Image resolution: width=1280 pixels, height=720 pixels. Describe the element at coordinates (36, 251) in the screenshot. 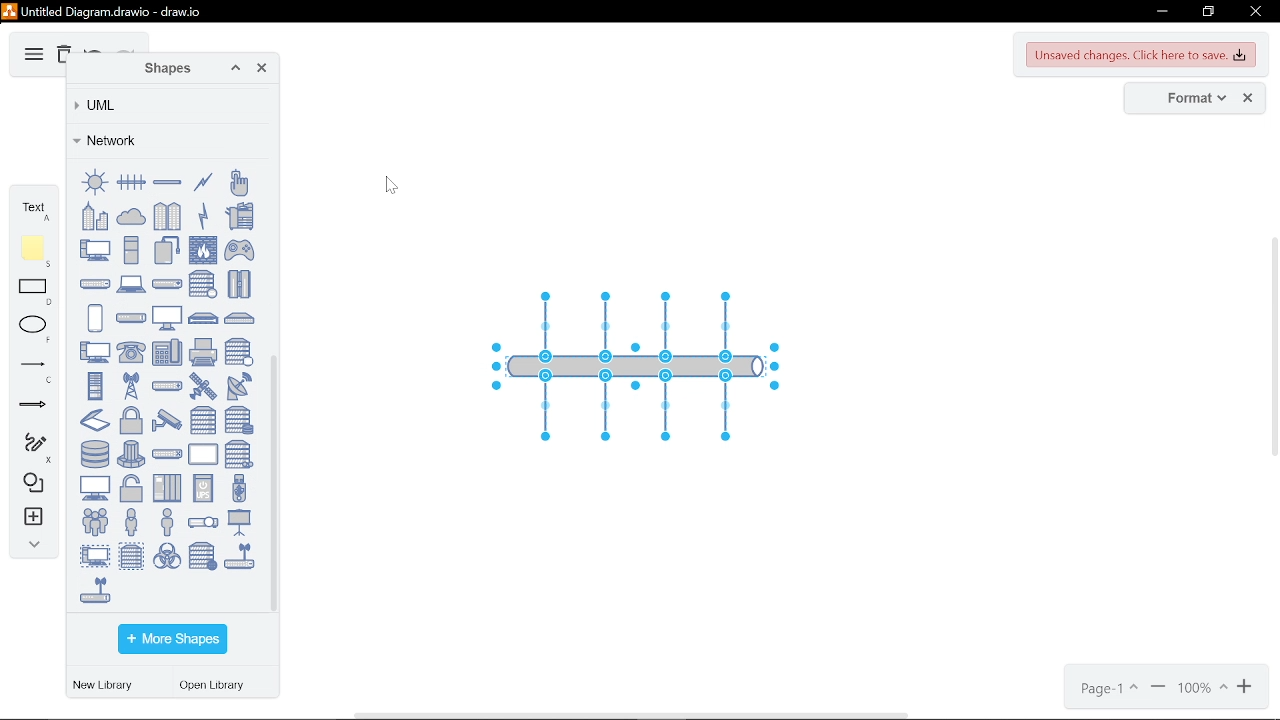

I see `note` at that location.